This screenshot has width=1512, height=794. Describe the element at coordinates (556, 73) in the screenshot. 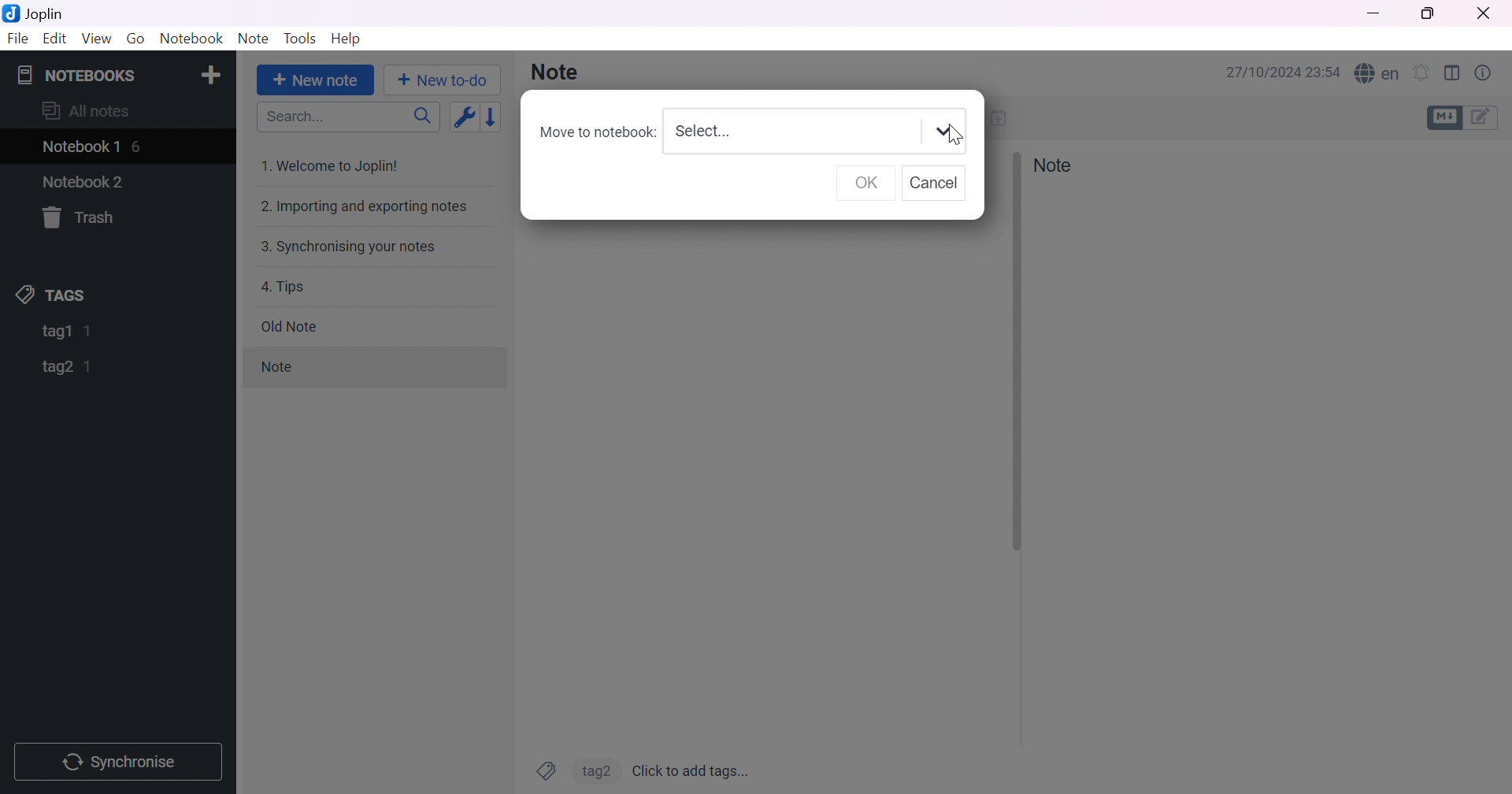

I see `Note` at that location.